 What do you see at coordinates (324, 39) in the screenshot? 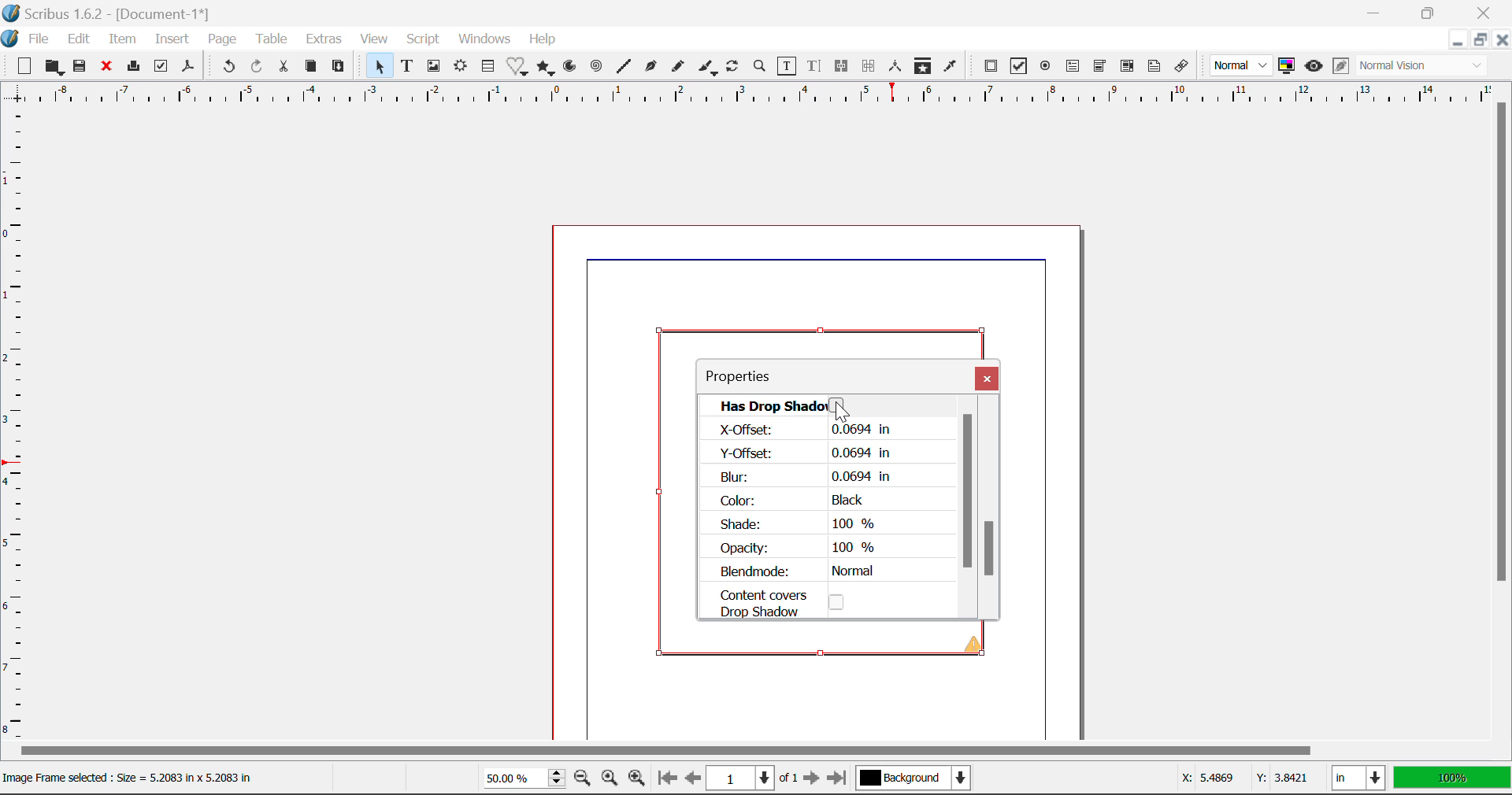
I see `Extras` at bounding box center [324, 39].